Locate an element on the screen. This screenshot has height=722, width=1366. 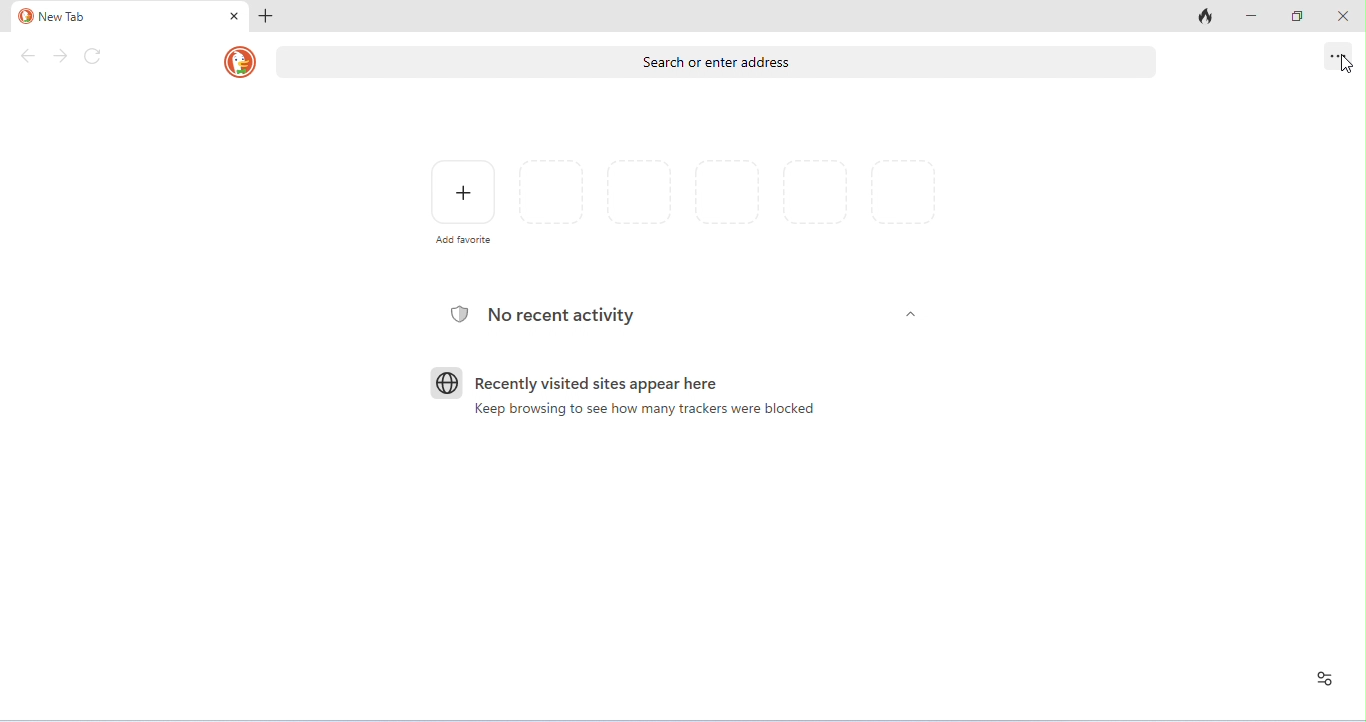
go back is located at coordinates (30, 56).